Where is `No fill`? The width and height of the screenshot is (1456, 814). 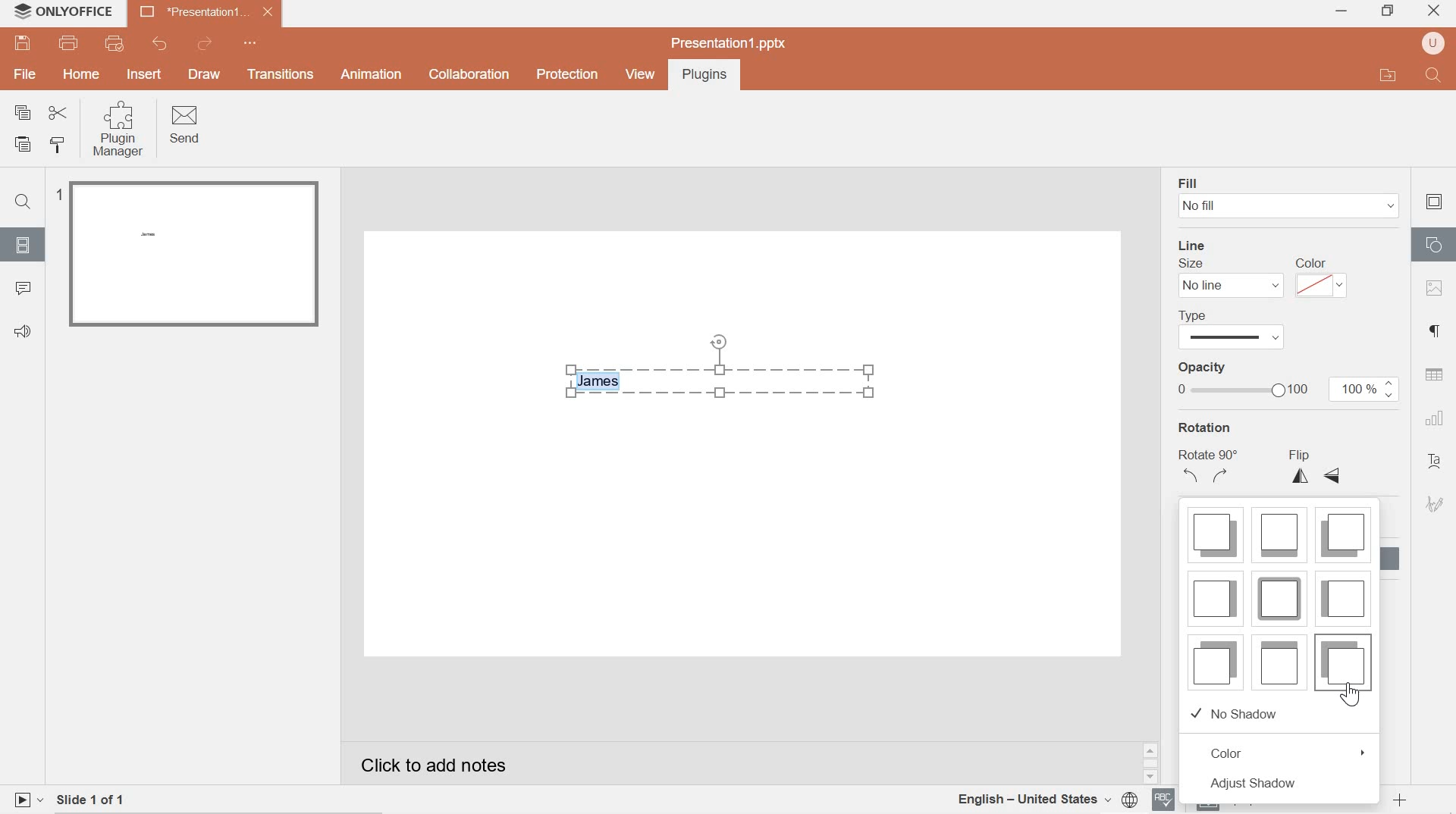
No fill is located at coordinates (1287, 206).